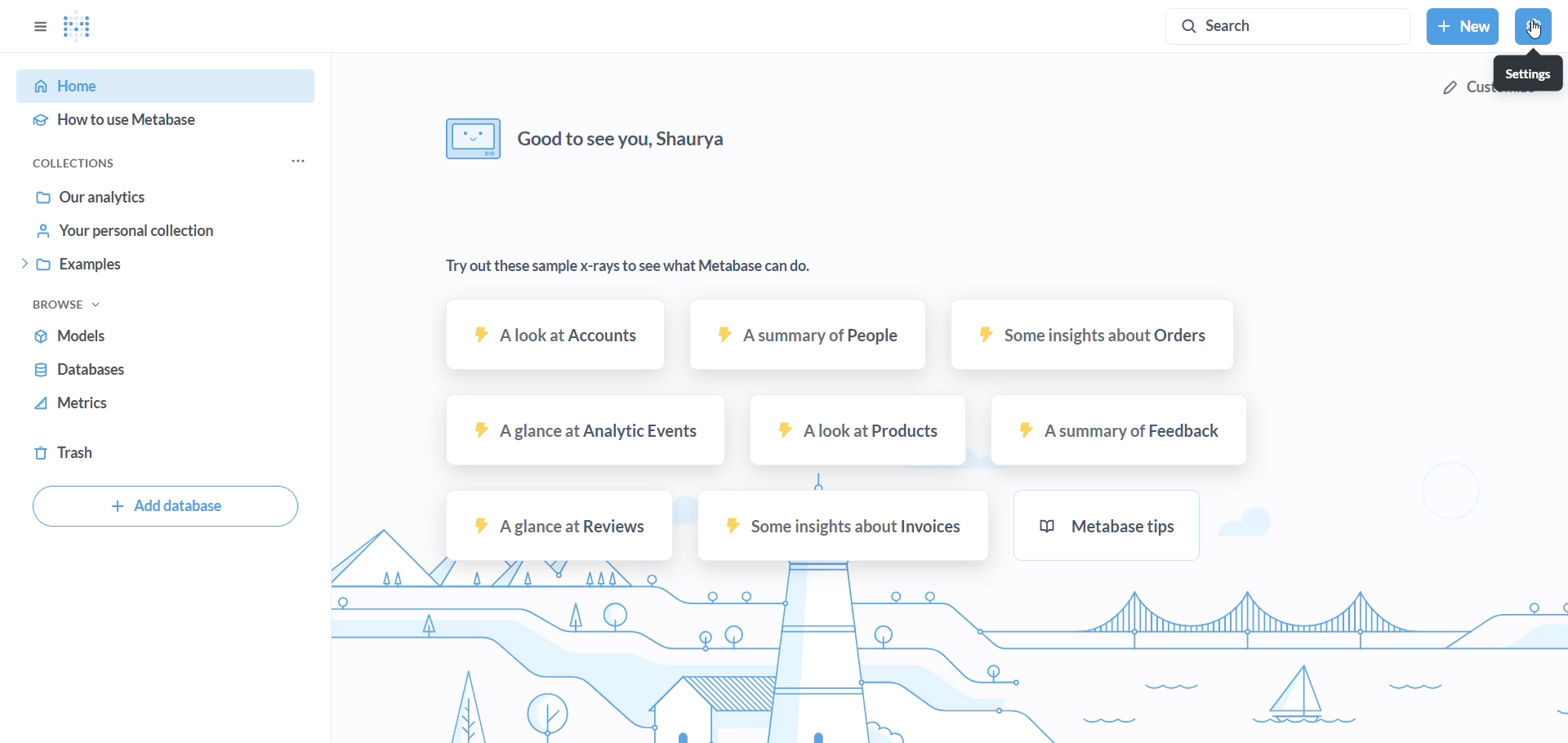 Image resolution: width=1568 pixels, height=743 pixels. I want to click on add database, so click(163, 509).